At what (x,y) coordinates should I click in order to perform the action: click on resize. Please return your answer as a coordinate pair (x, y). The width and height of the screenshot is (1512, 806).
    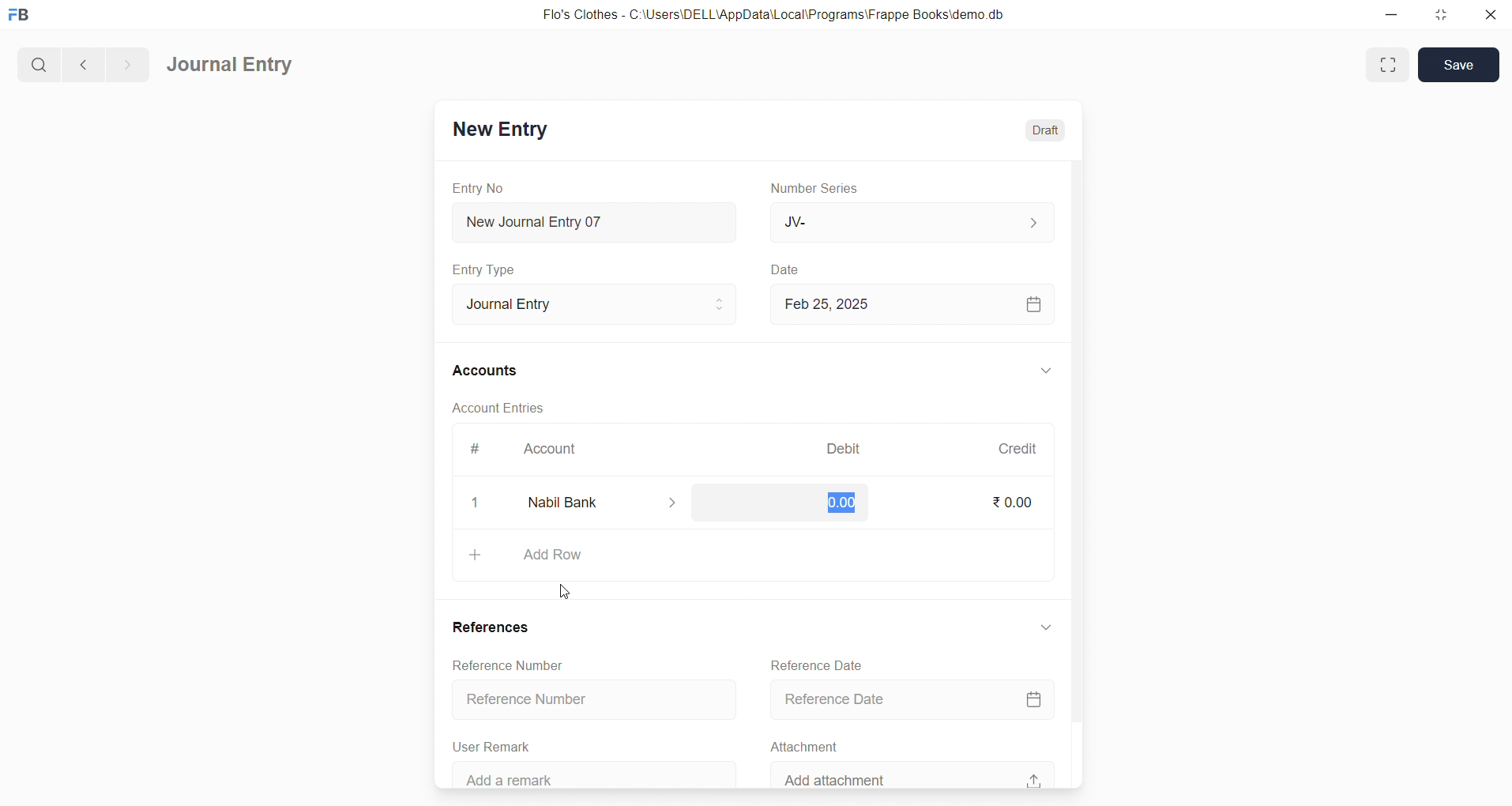
    Looking at the image, I should click on (1439, 16).